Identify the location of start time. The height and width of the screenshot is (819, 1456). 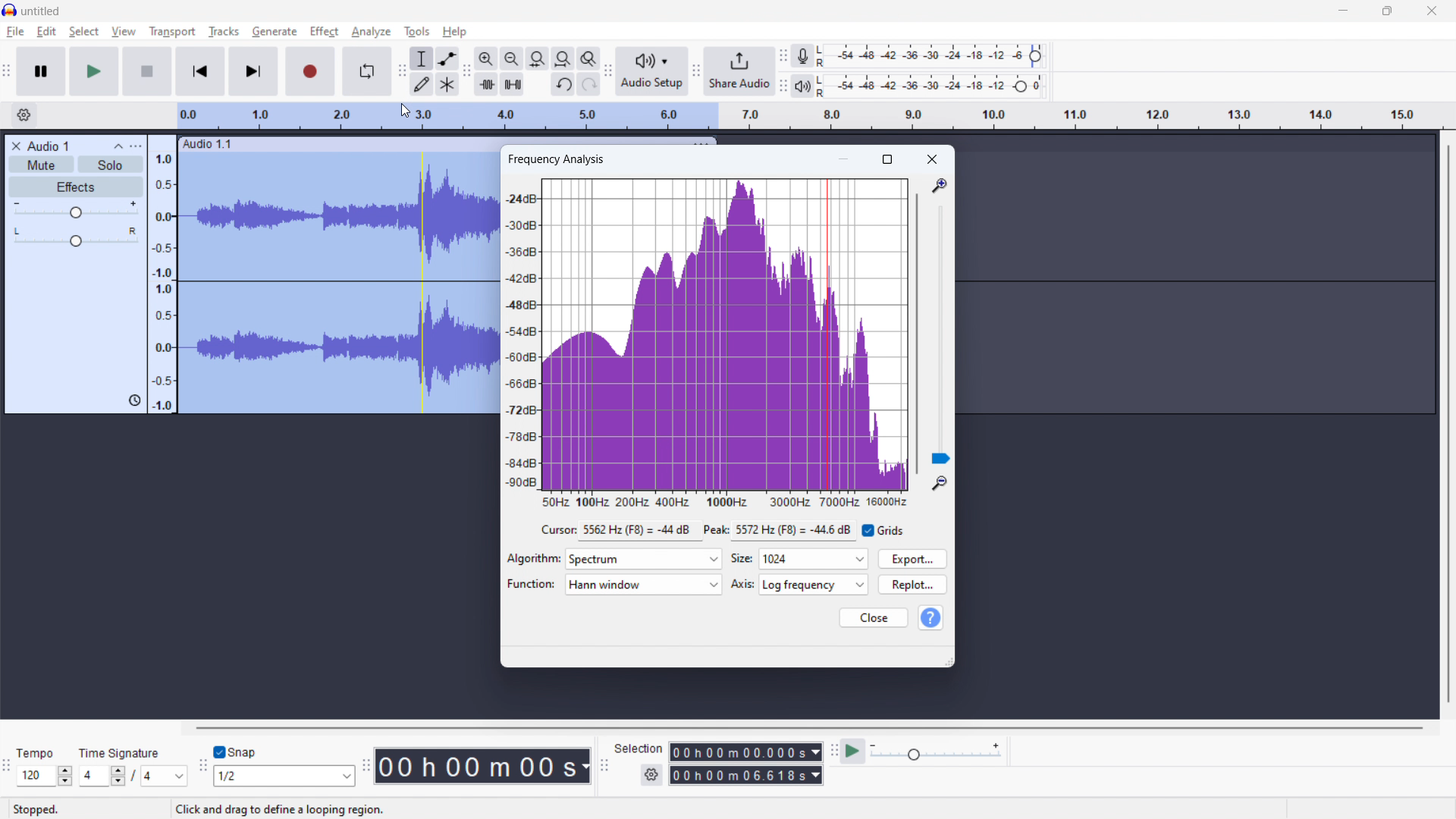
(746, 752).